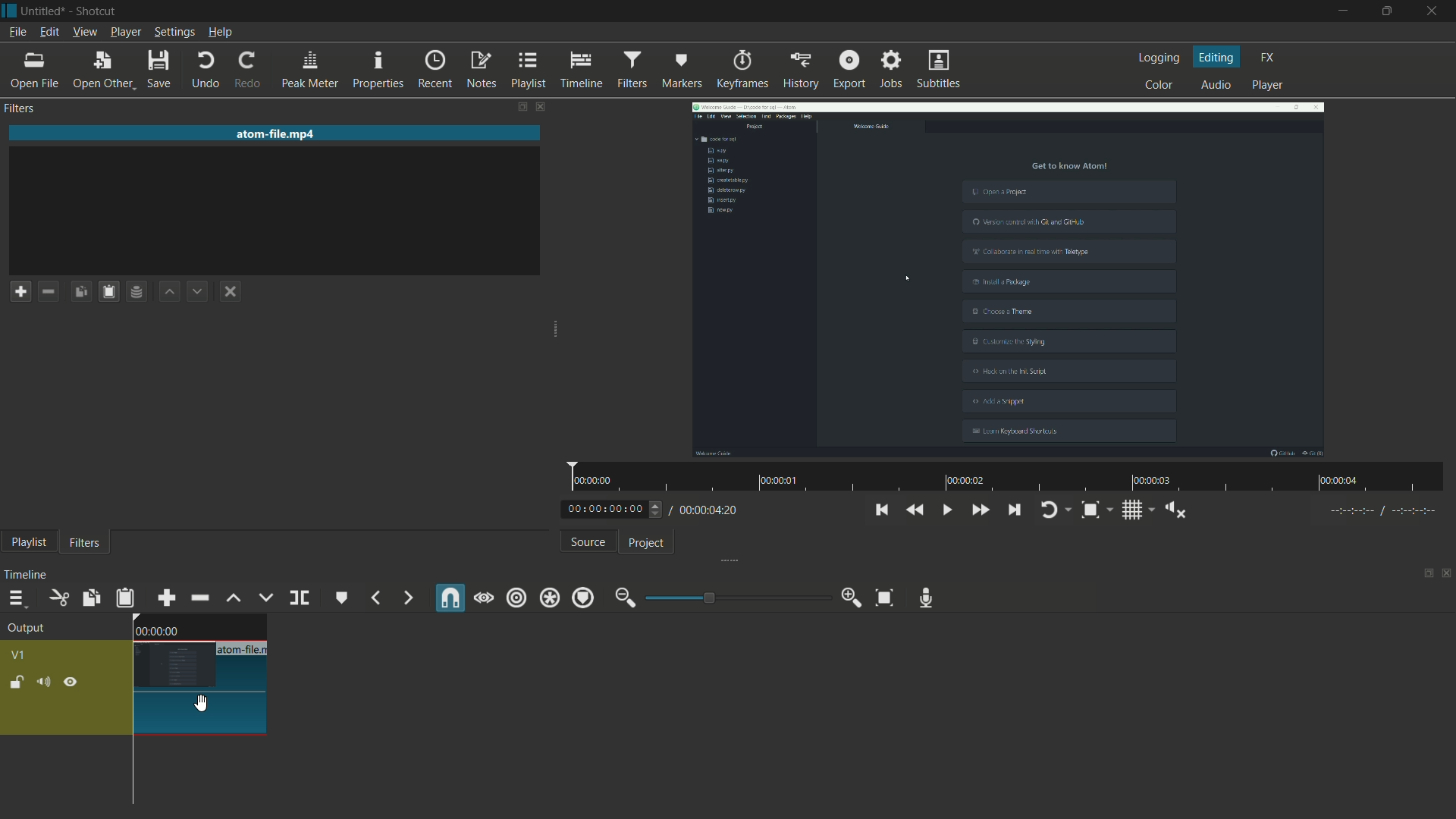  Describe the element at coordinates (126, 32) in the screenshot. I see `player menu` at that location.